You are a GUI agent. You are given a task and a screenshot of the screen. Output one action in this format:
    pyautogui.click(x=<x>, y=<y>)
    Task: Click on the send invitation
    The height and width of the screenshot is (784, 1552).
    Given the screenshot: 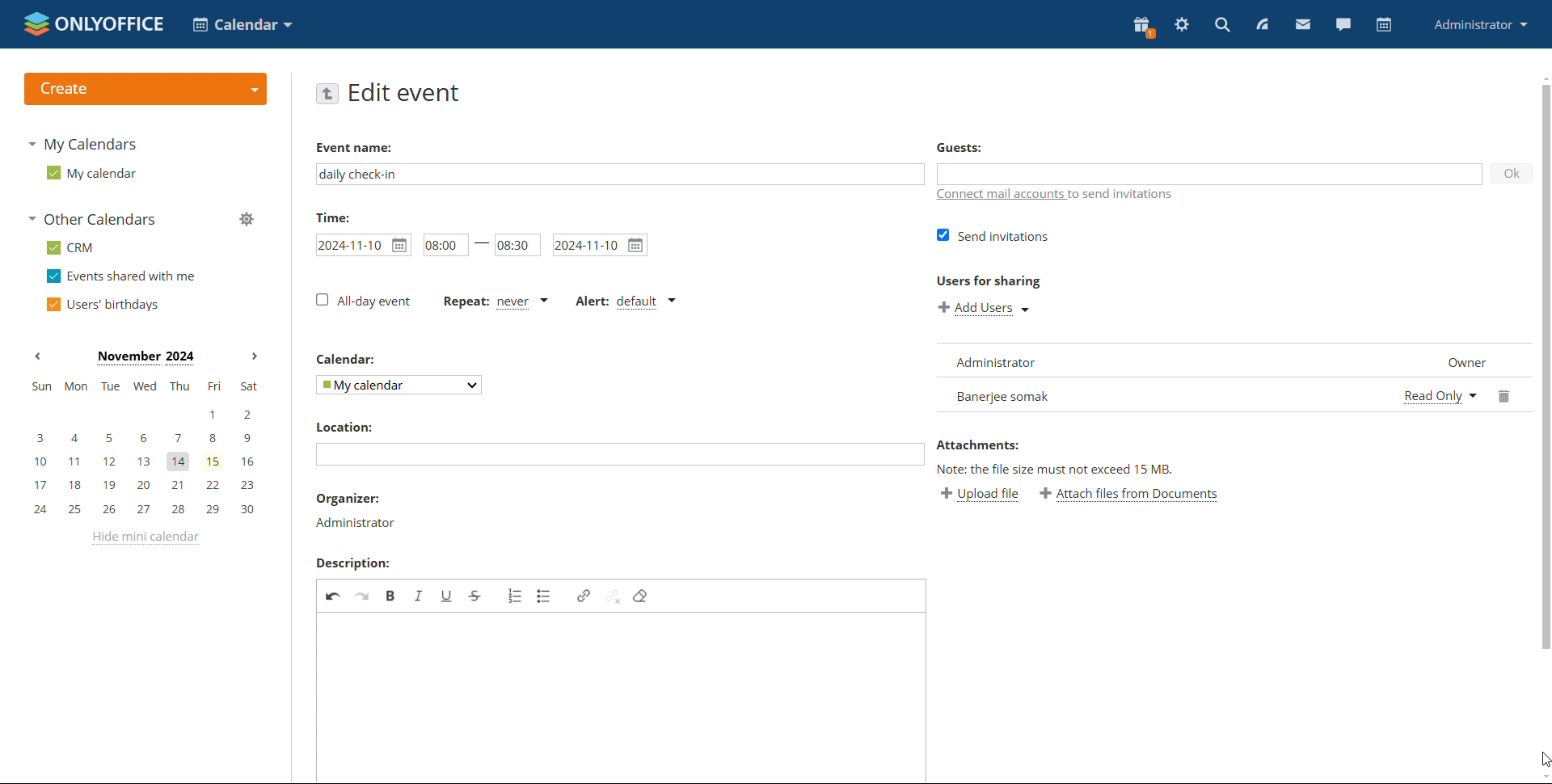 What is the action you would take?
    pyautogui.click(x=996, y=236)
    